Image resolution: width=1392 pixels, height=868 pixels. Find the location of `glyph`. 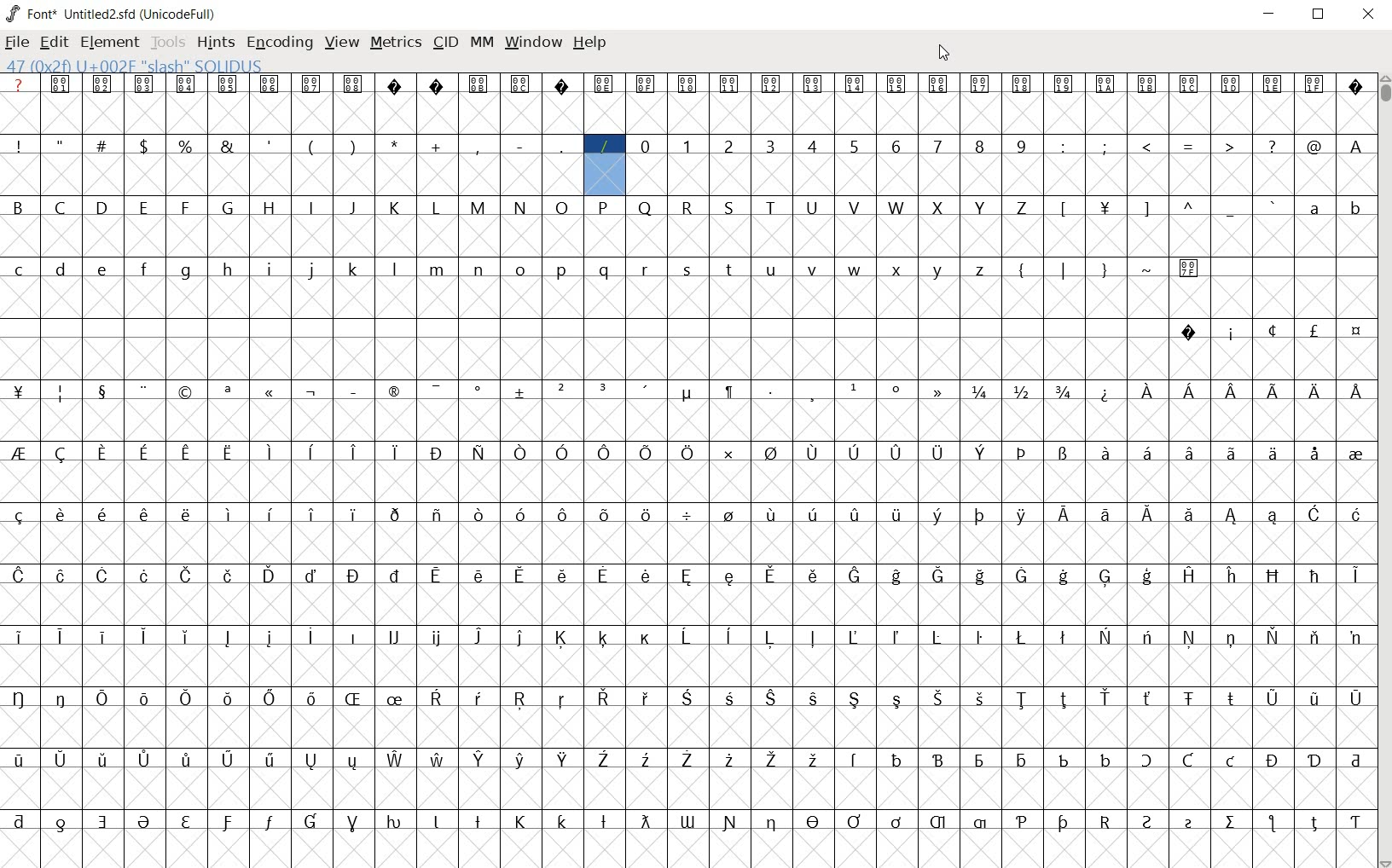

glyph is located at coordinates (1147, 452).